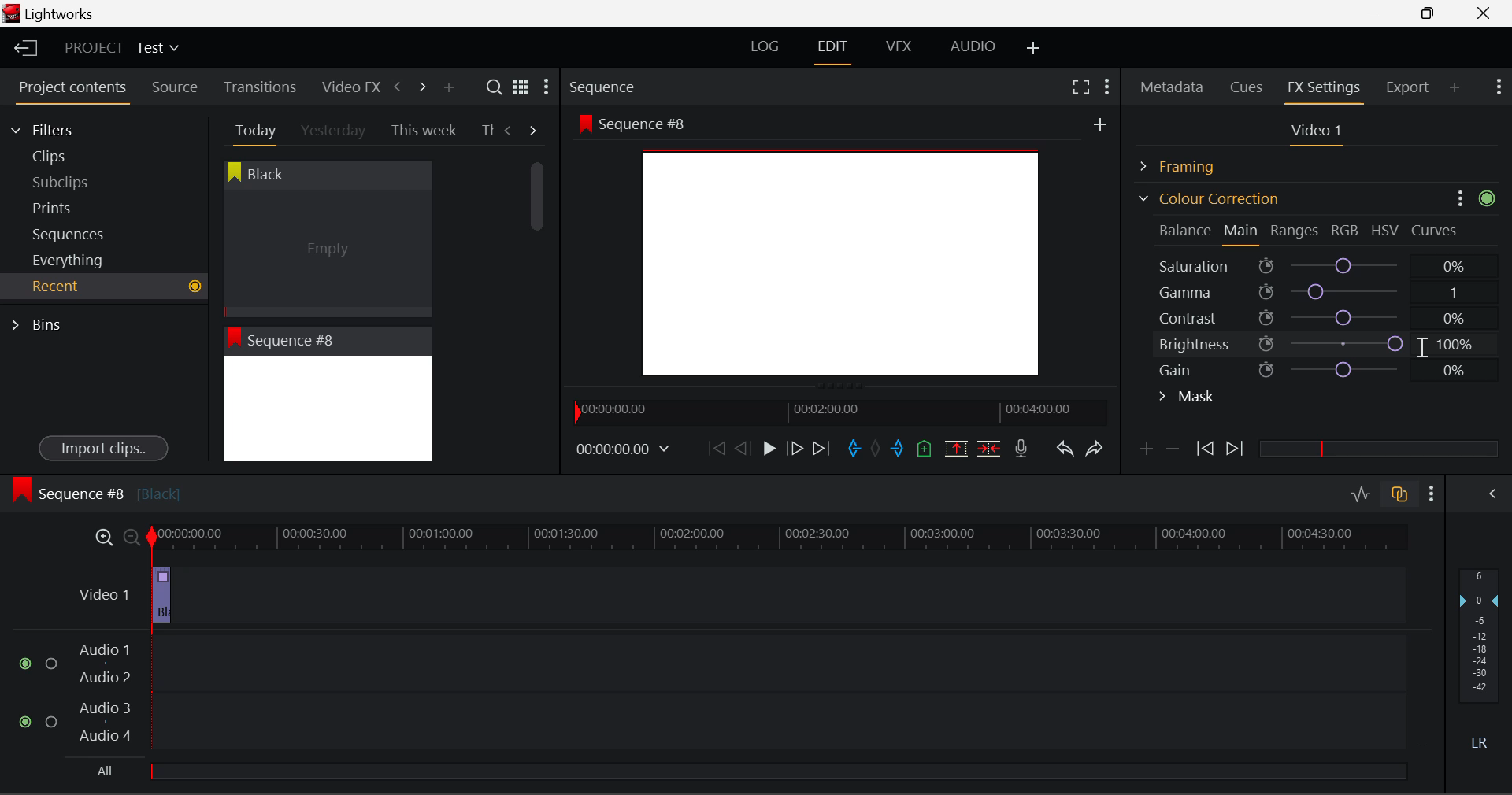 The width and height of the screenshot is (1512, 795). Describe the element at coordinates (777, 771) in the screenshot. I see `slider` at that location.